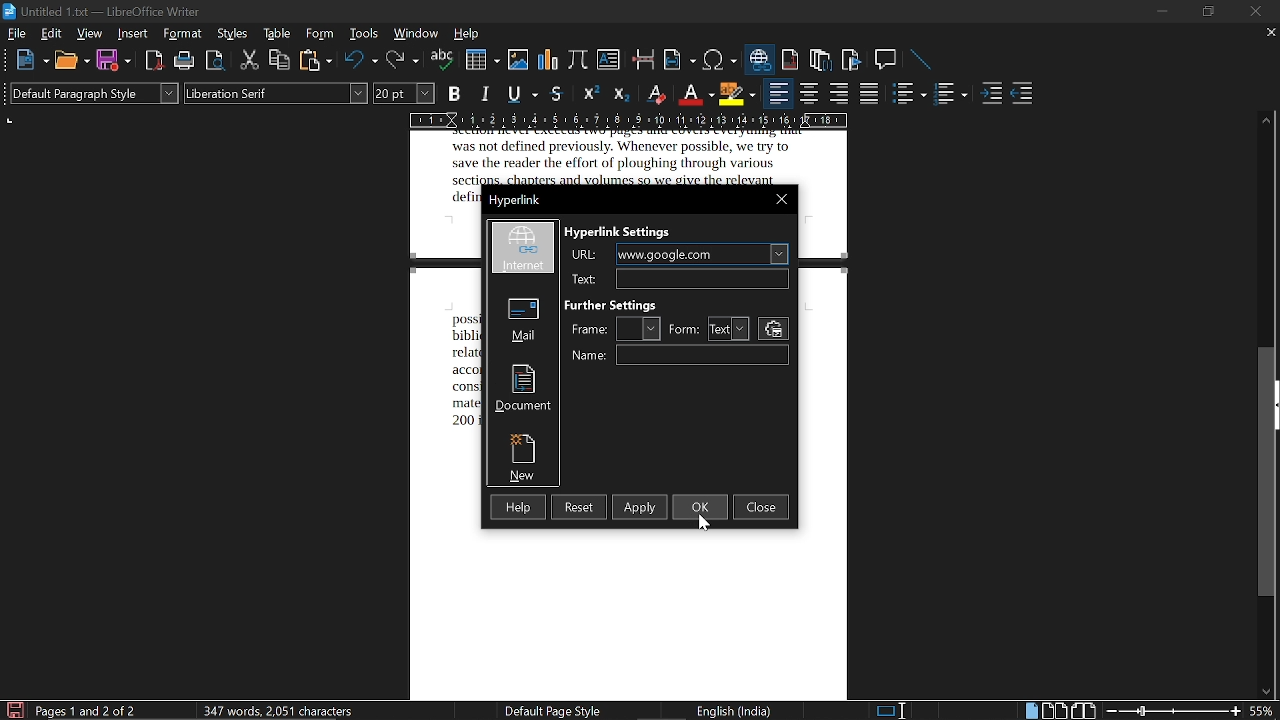  What do you see at coordinates (591, 358) in the screenshot?
I see `Name` at bounding box center [591, 358].